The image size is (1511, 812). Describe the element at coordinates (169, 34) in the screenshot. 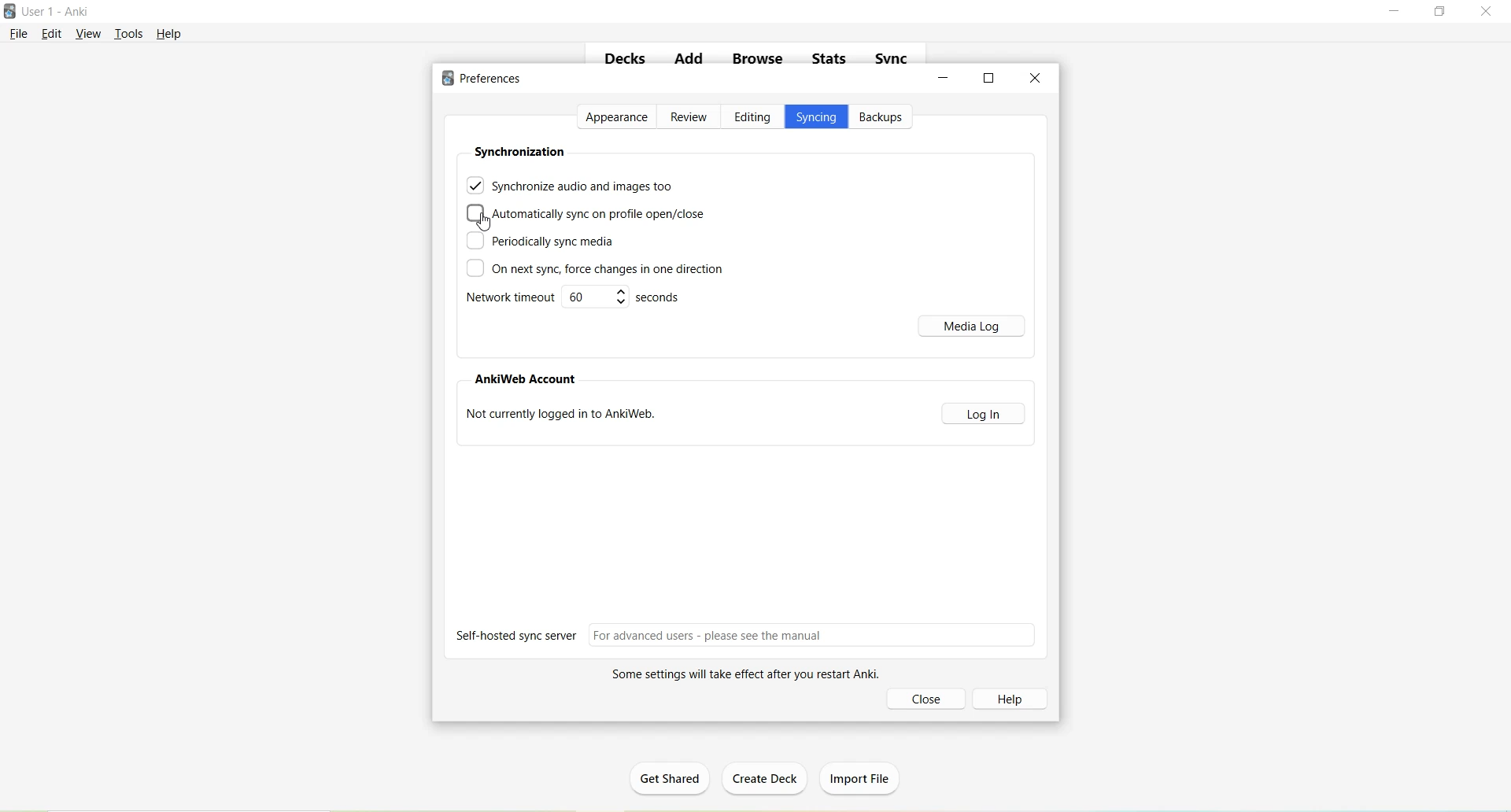

I see `Help` at that location.